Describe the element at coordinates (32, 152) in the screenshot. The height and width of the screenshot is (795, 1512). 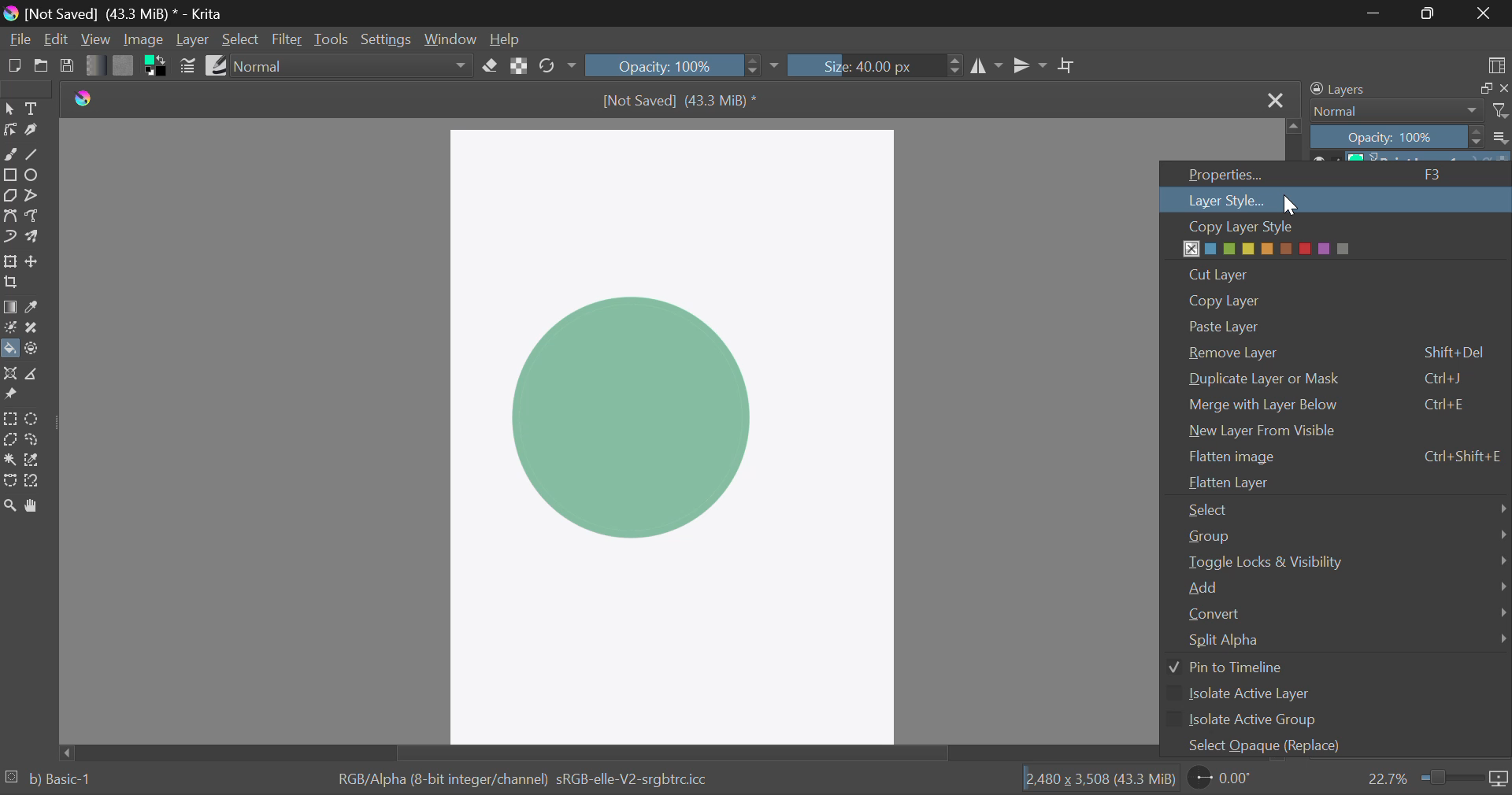
I see `Line` at that location.